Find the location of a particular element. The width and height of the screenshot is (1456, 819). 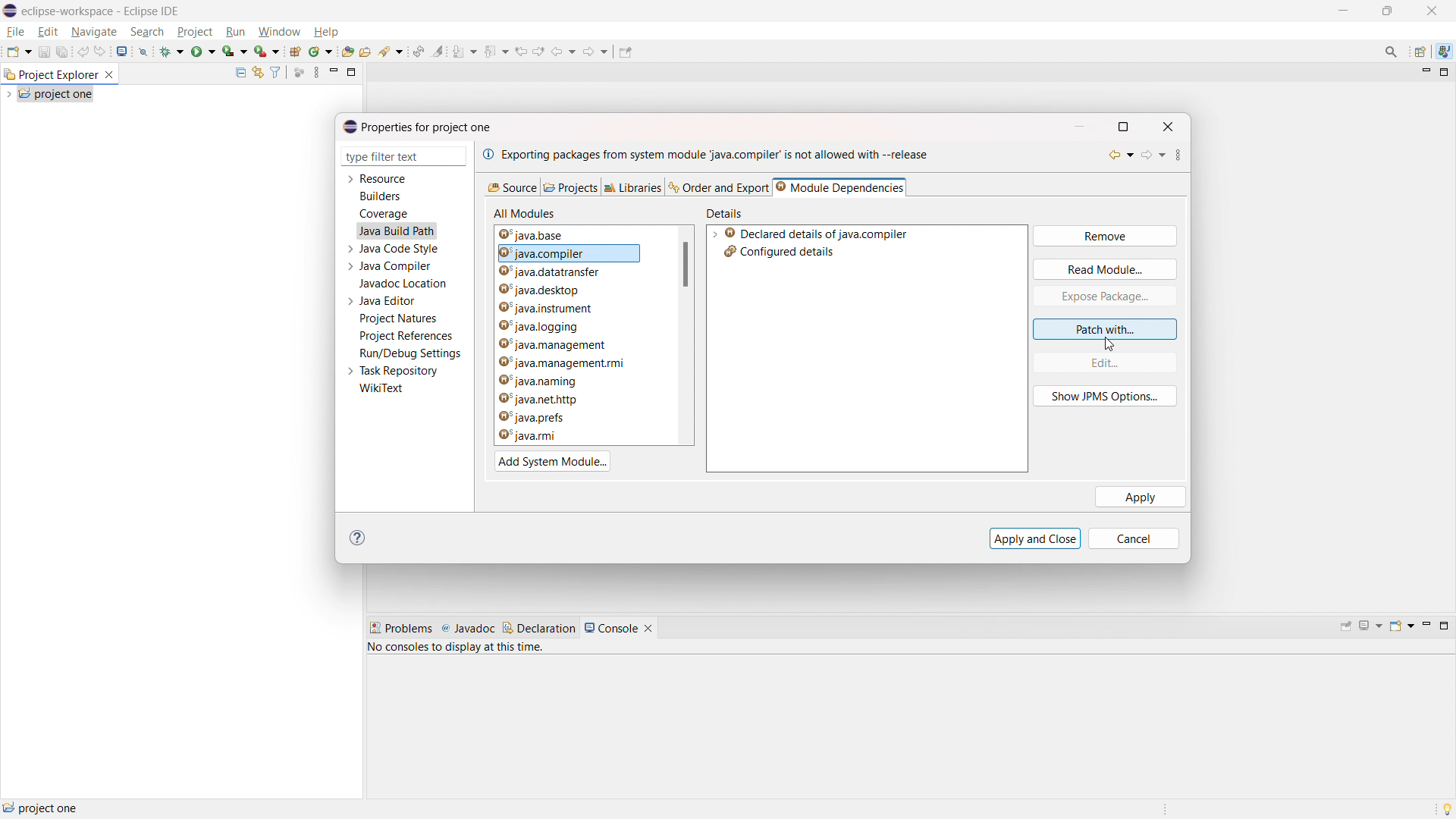

task repository is located at coordinates (400, 371).